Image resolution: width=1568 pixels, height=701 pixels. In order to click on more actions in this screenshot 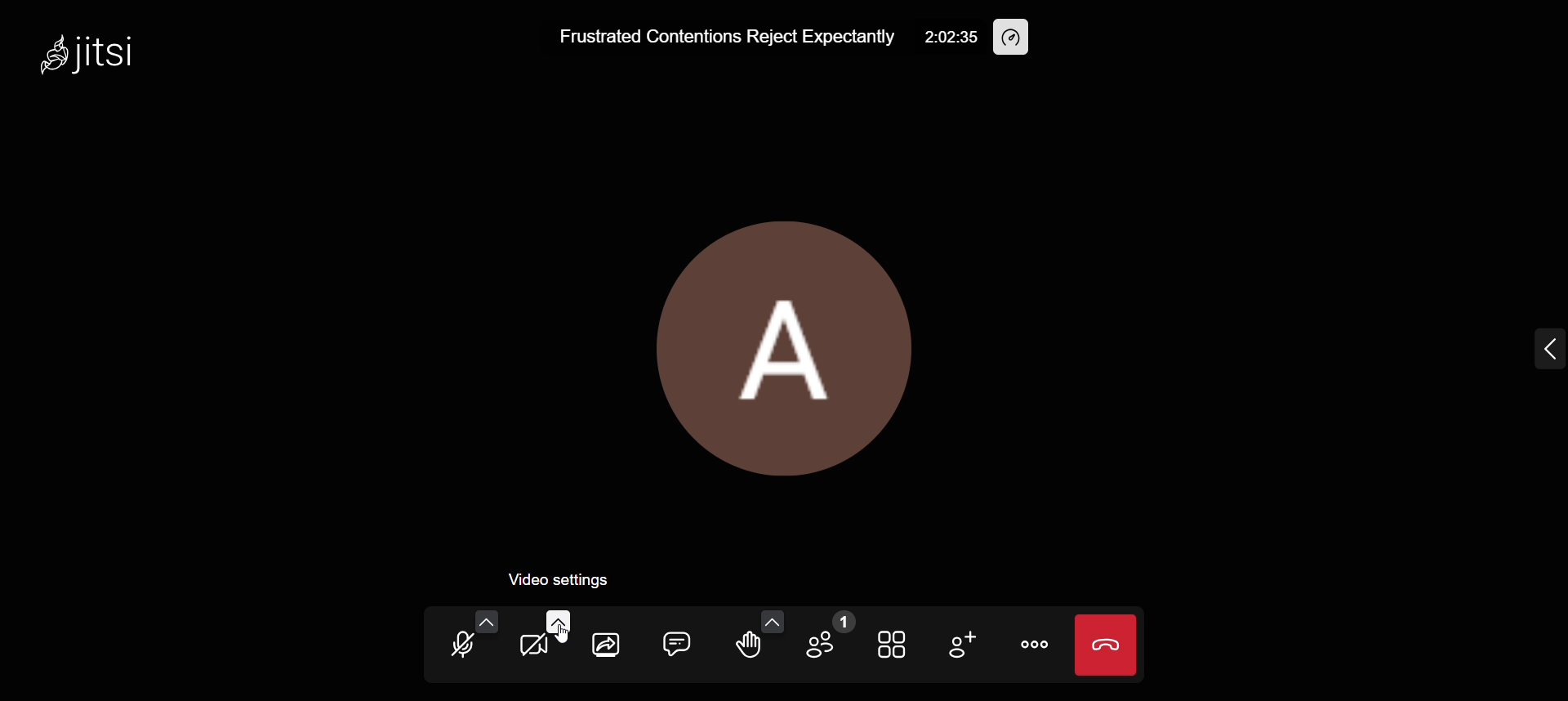, I will do `click(1029, 643)`.